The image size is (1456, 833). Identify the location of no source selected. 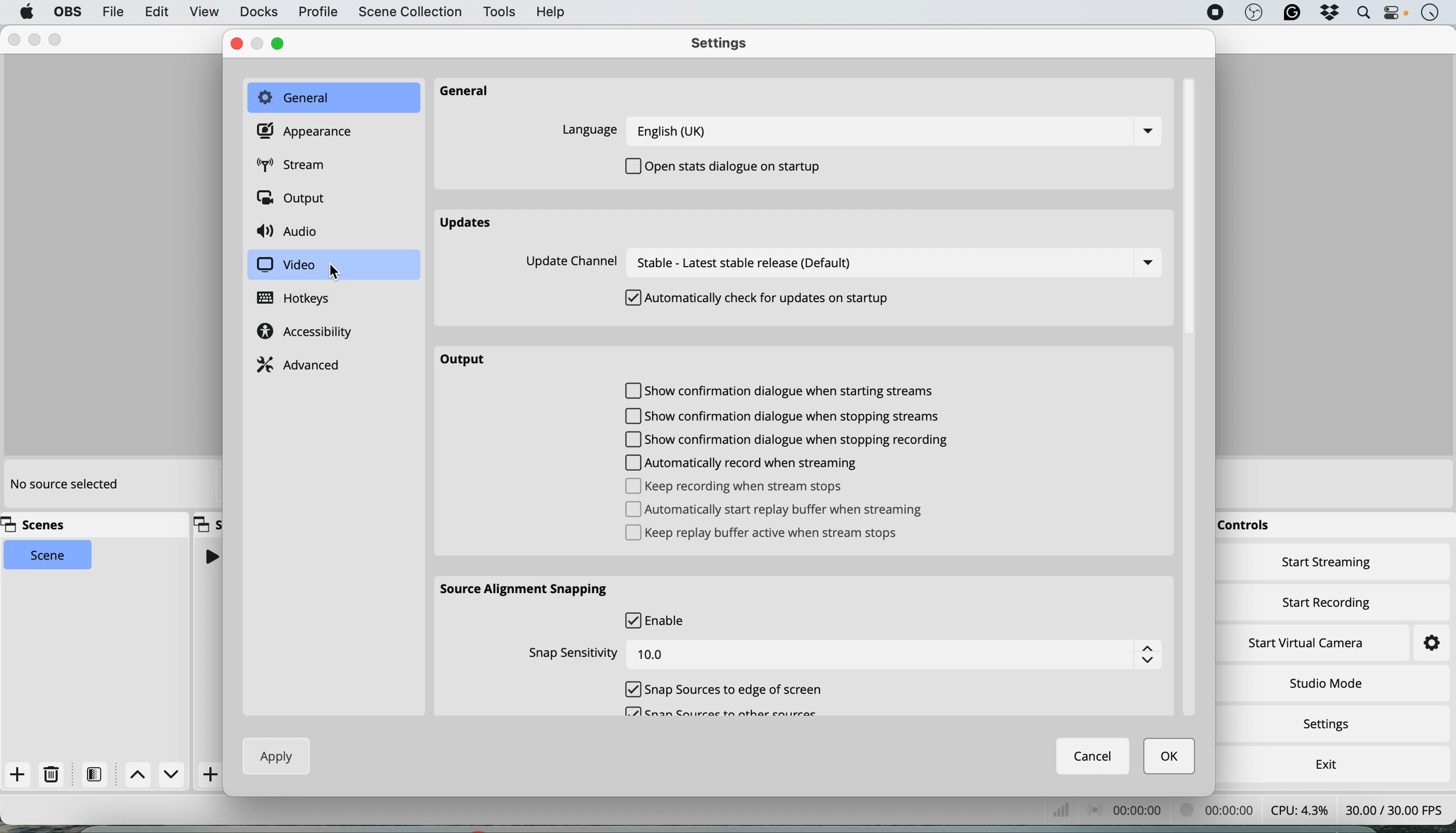
(63, 485).